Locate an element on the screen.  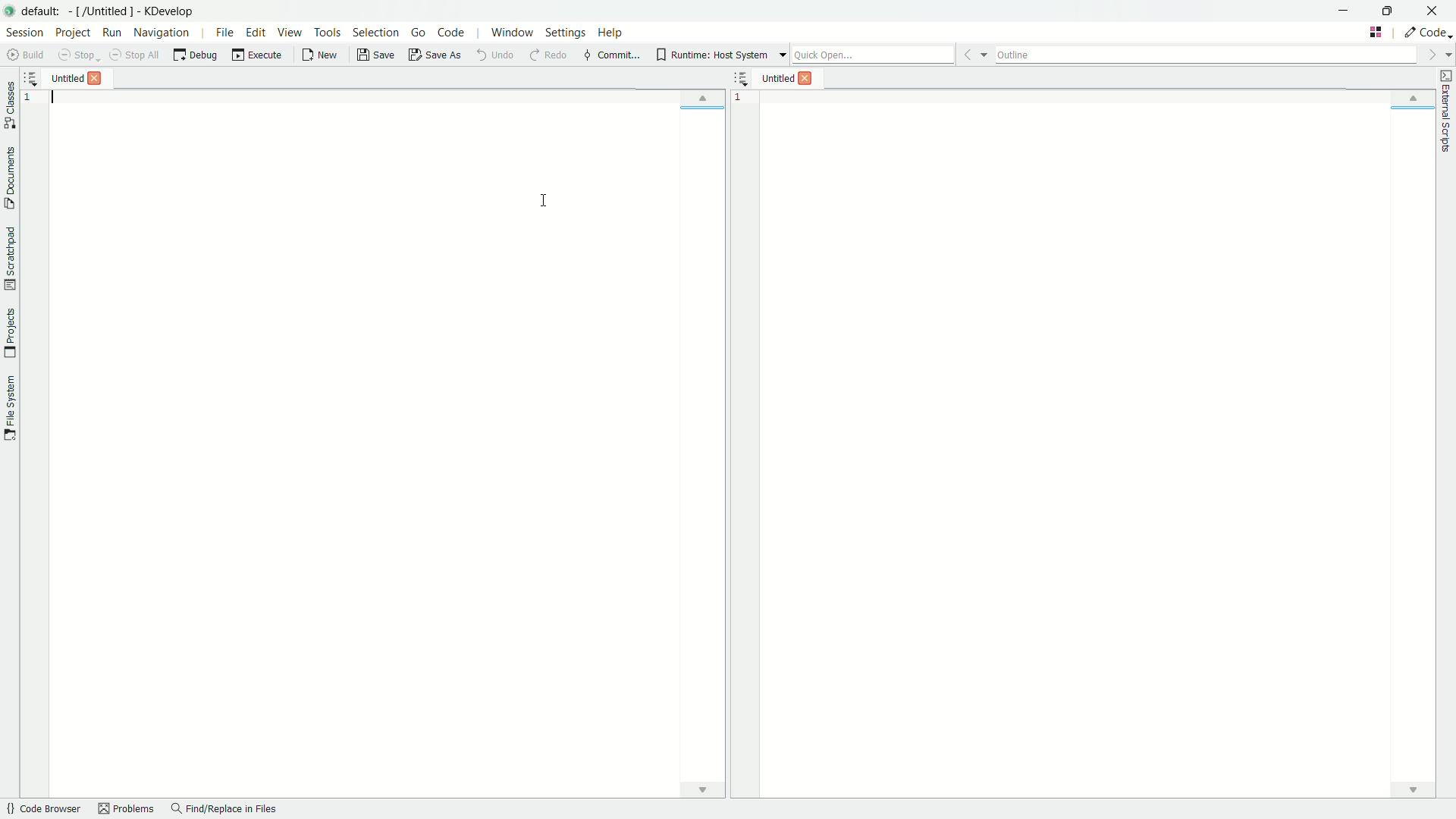
toggle classes is located at coordinates (11, 106).